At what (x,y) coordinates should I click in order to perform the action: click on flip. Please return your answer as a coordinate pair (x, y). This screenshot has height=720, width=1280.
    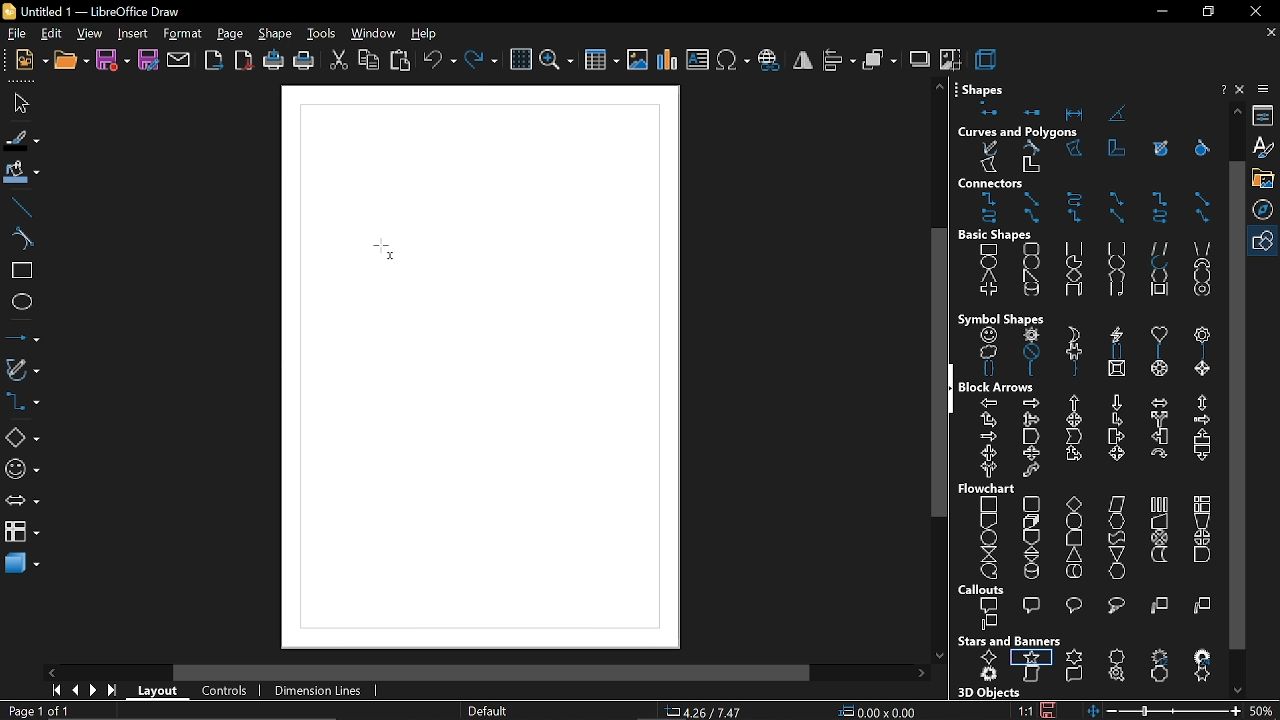
    Looking at the image, I should click on (802, 63).